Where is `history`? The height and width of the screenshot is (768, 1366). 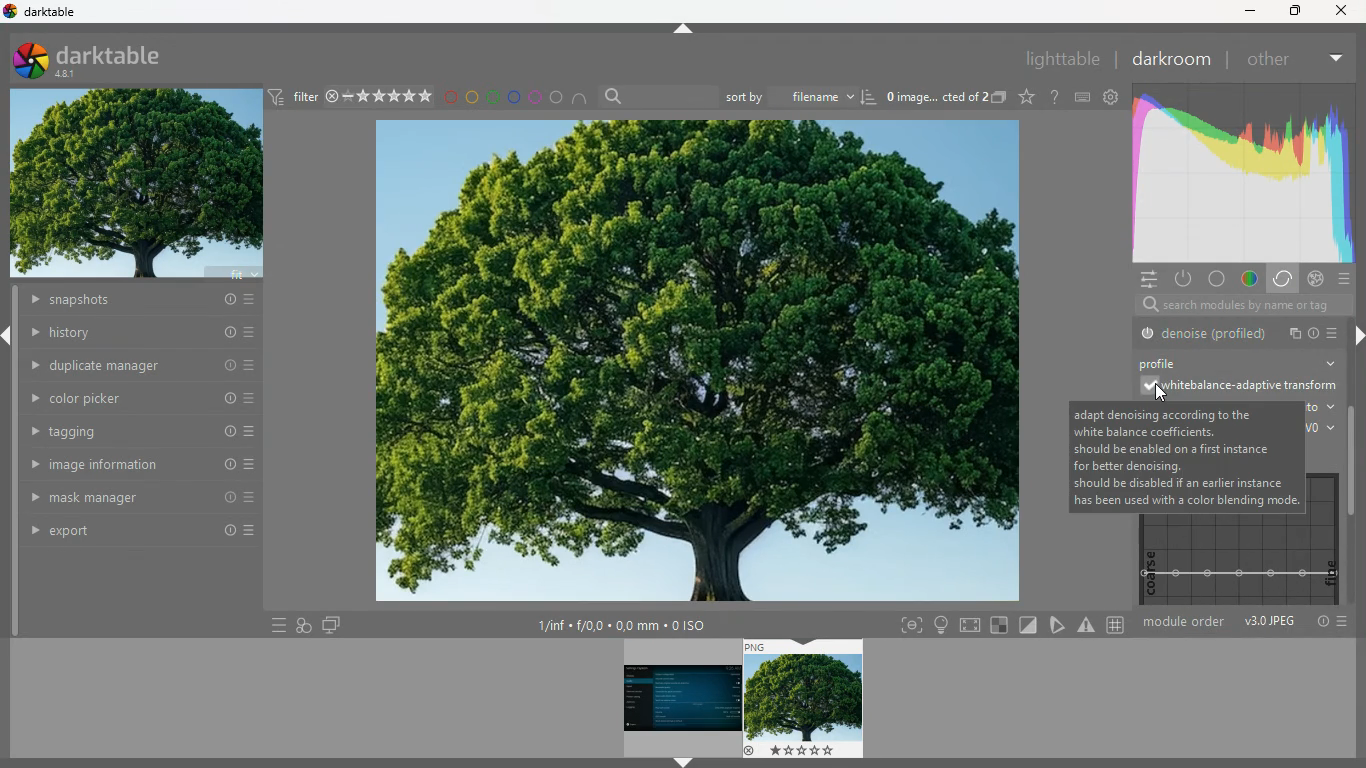
history is located at coordinates (139, 334).